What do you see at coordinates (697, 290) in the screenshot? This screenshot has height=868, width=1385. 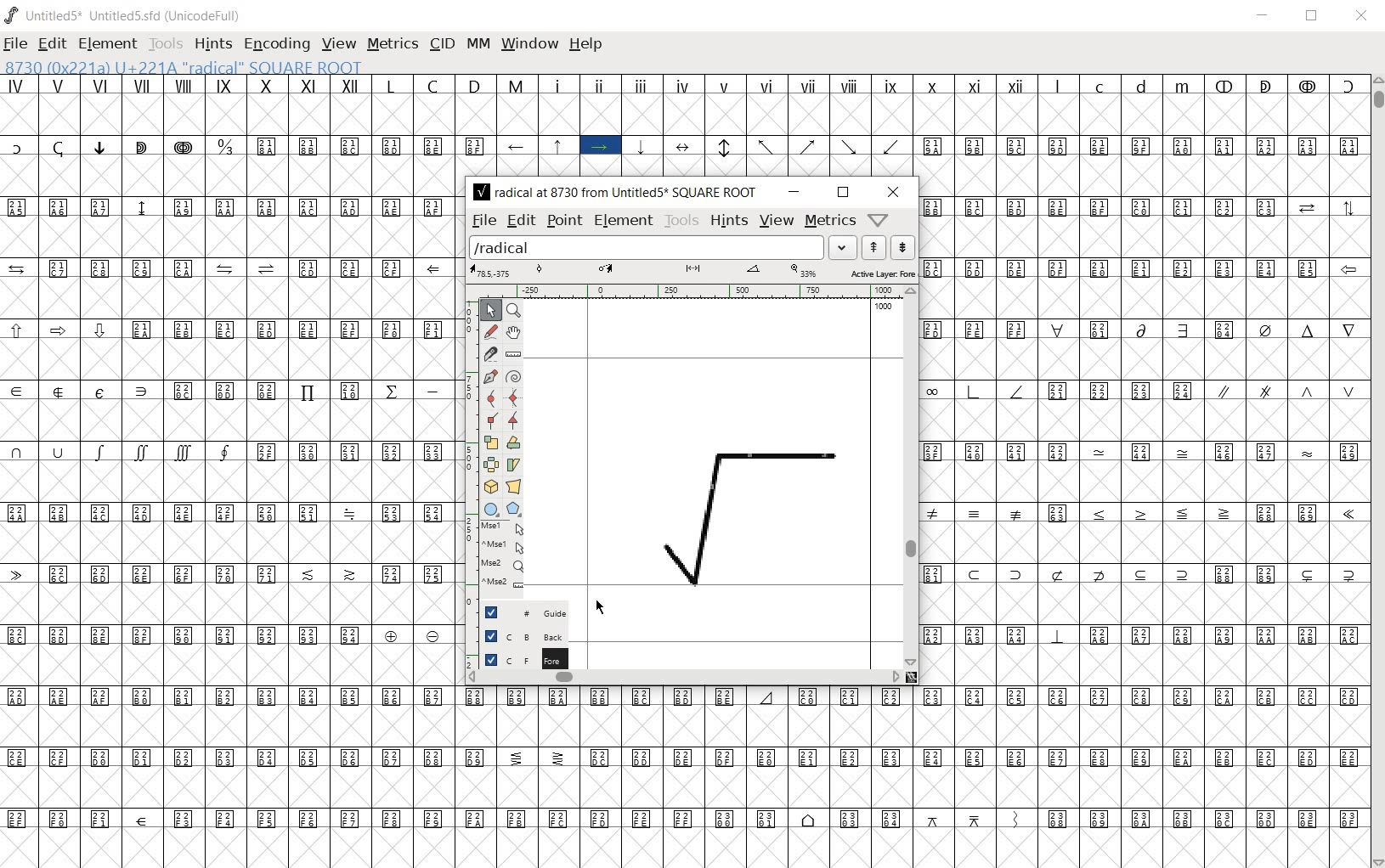 I see `ruler` at bounding box center [697, 290].